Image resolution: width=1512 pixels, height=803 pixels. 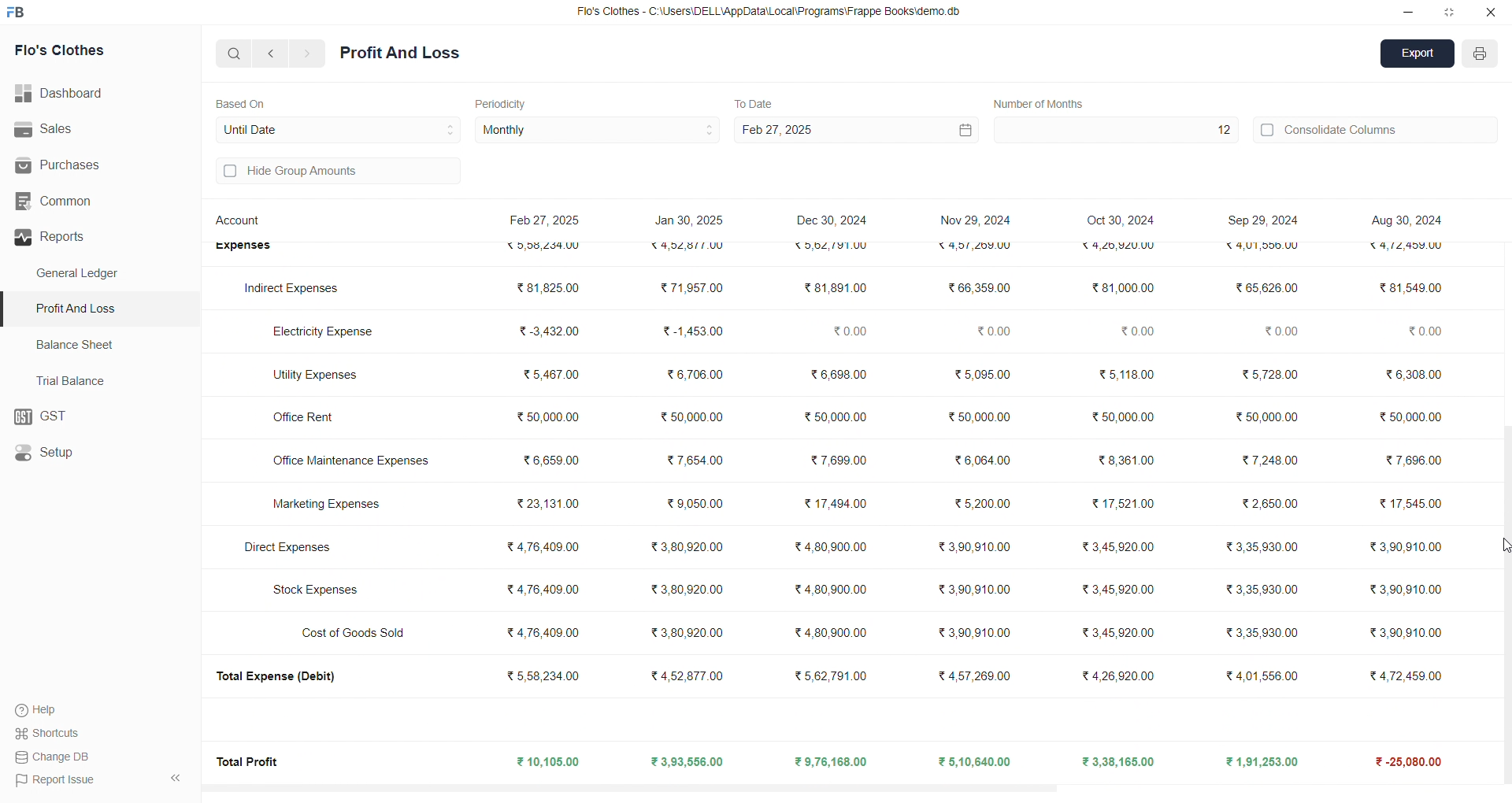 I want to click on ₹ 9,050.00, so click(x=685, y=504).